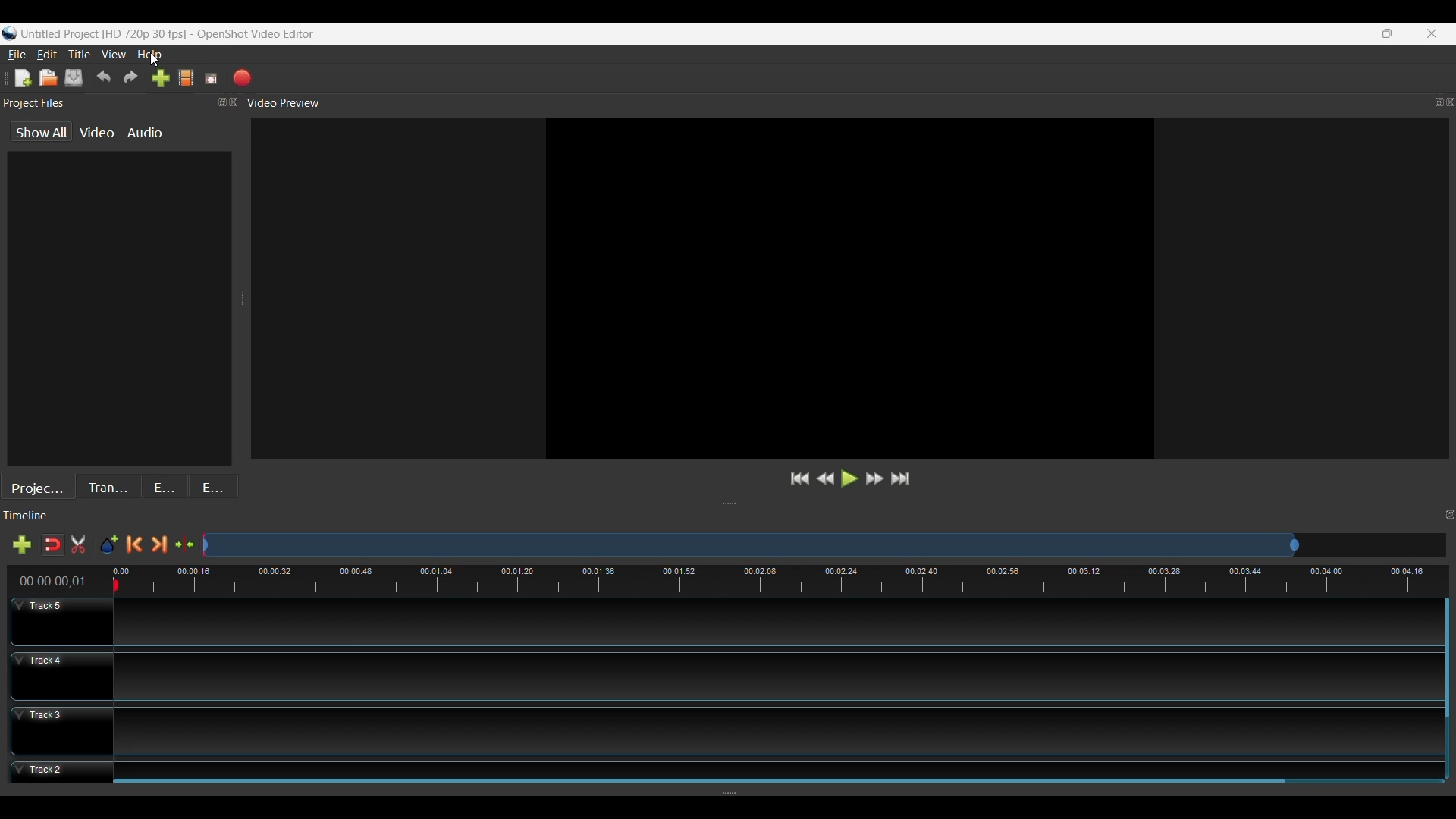 Image resolution: width=1456 pixels, height=819 pixels. I want to click on New Project, so click(49, 77).